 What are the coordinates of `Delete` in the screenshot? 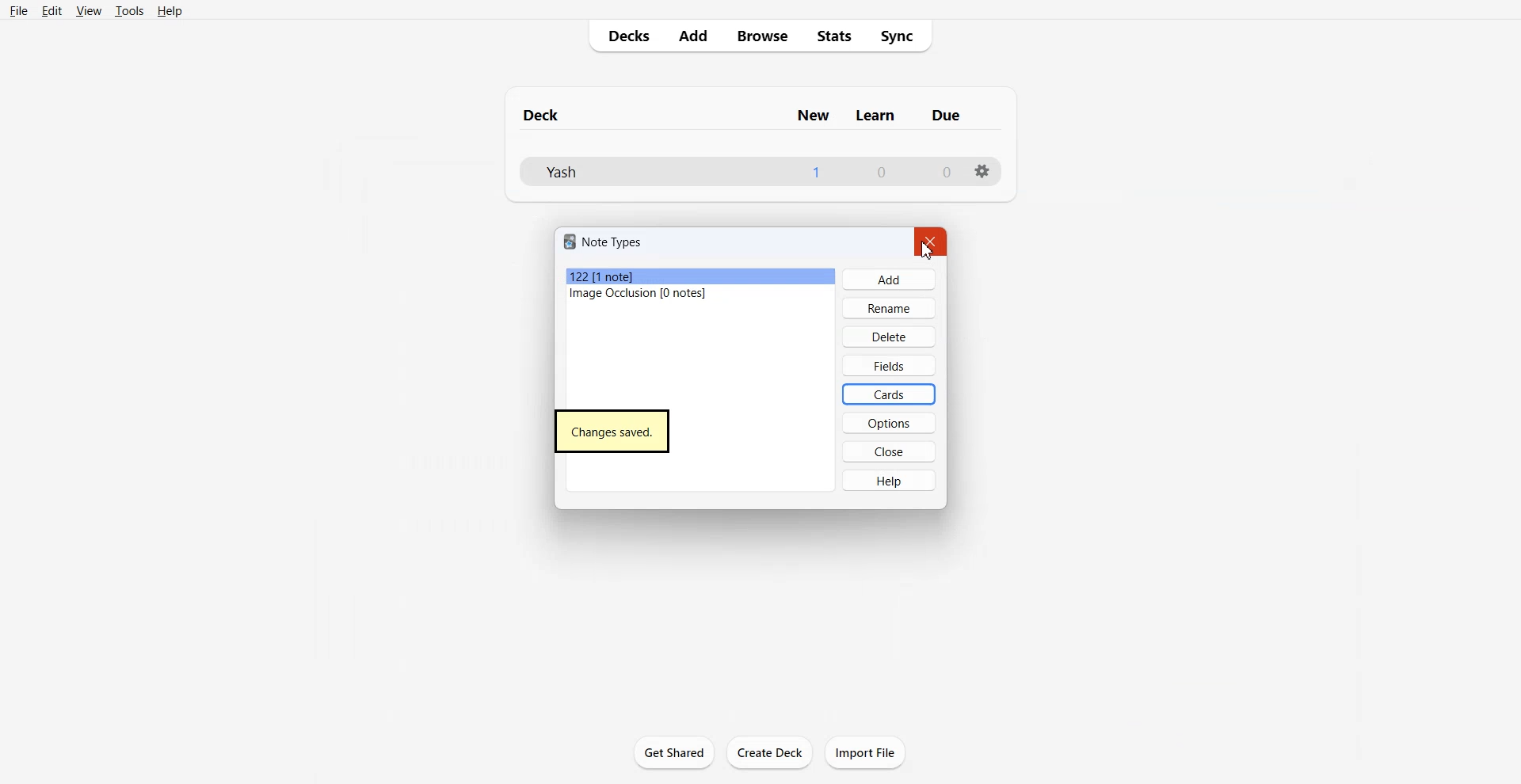 It's located at (889, 336).